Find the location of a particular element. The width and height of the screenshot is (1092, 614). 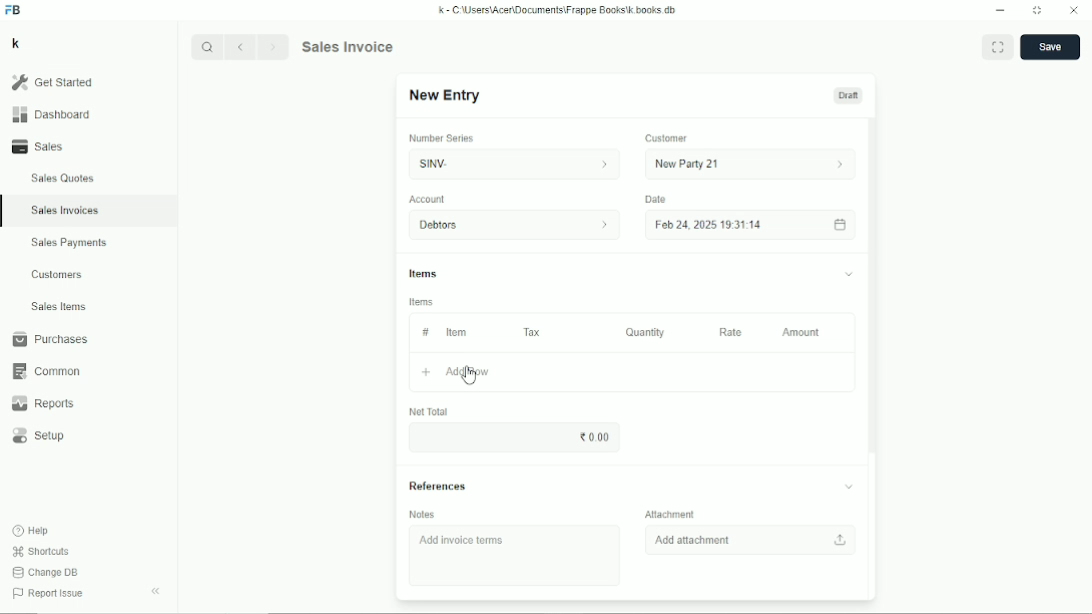

Notes is located at coordinates (423, 514).